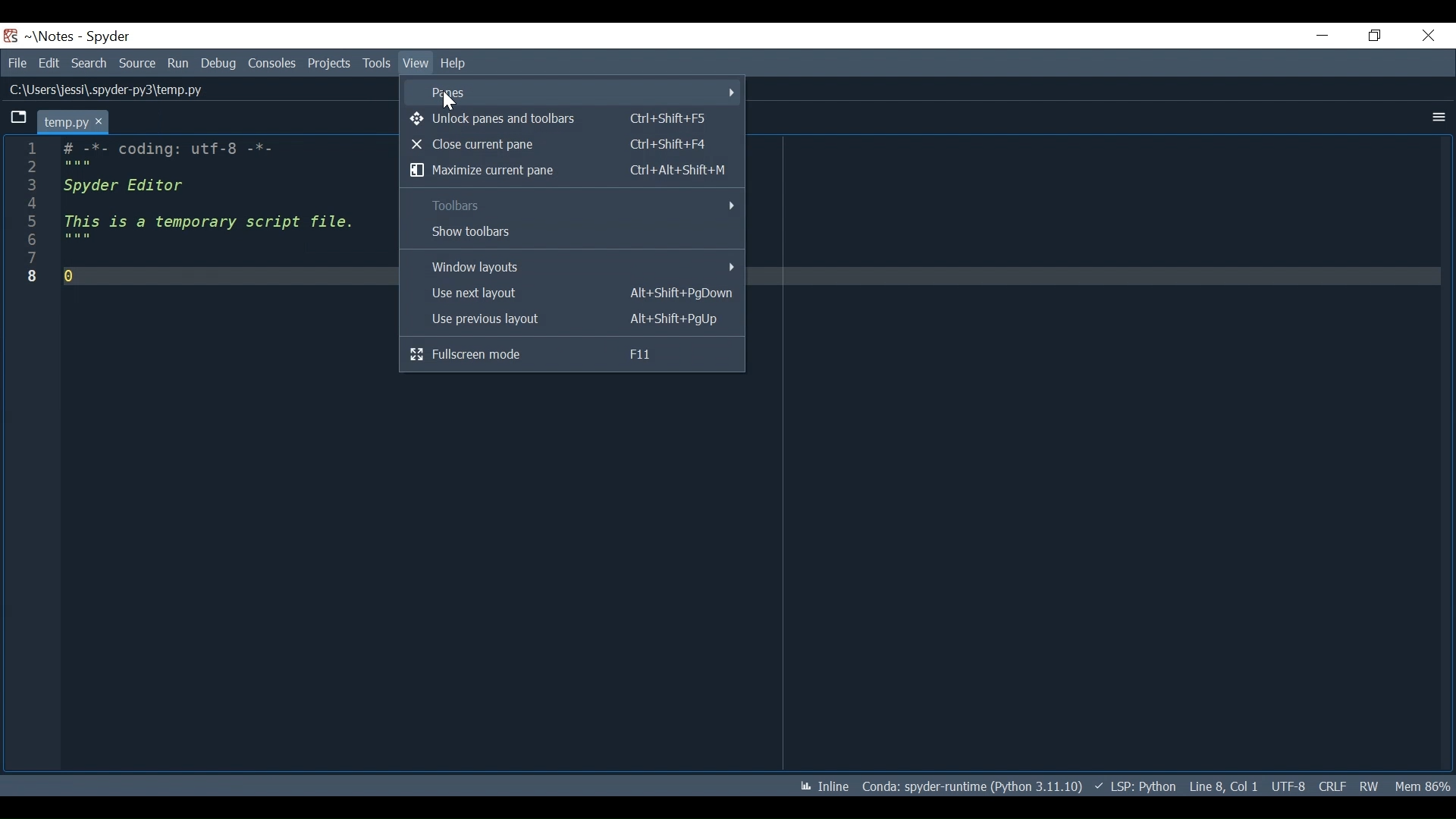  I want to click on Source, so click(137, 64).